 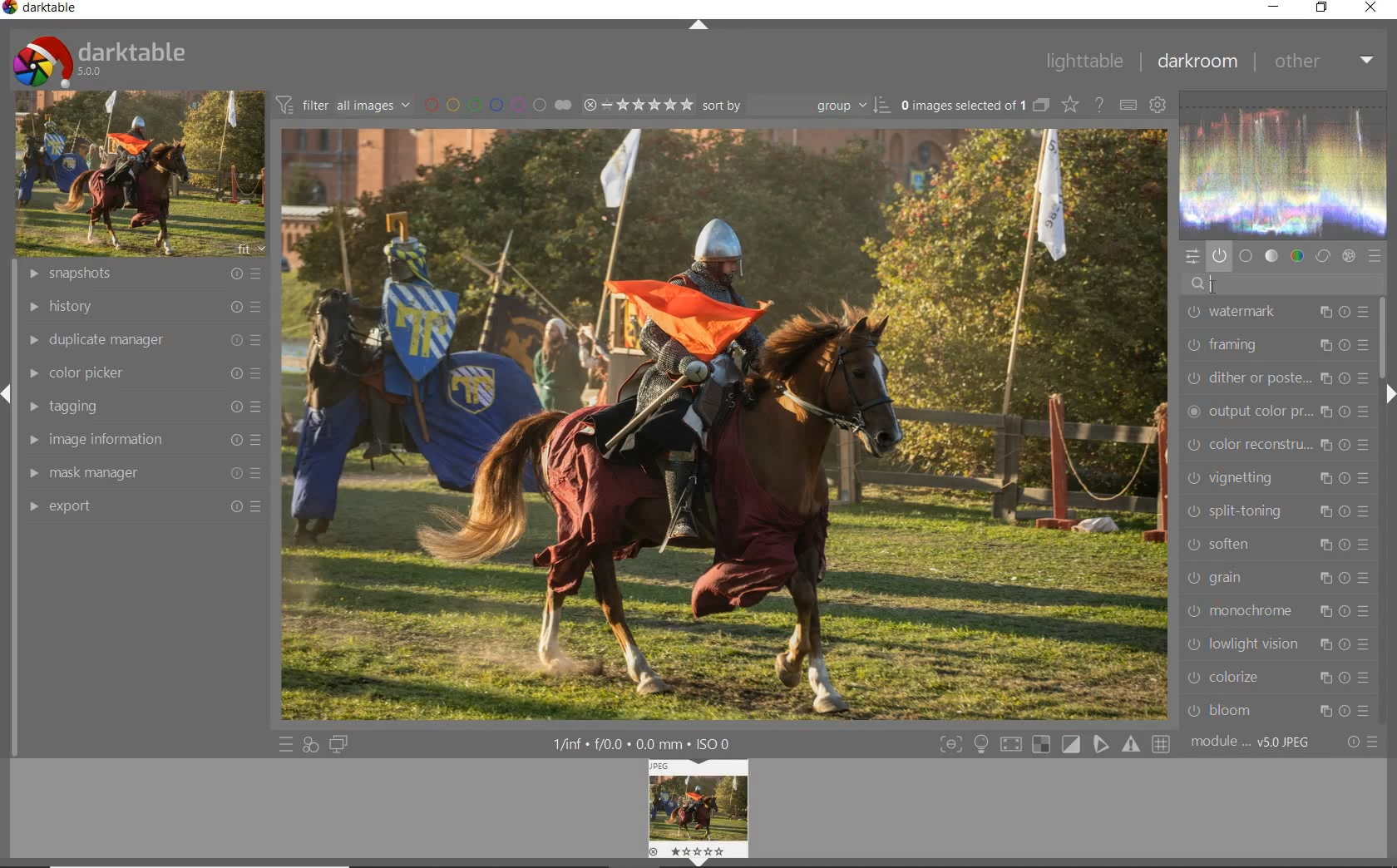 I want to click on expand/collapse, so click(x=698, y=24).